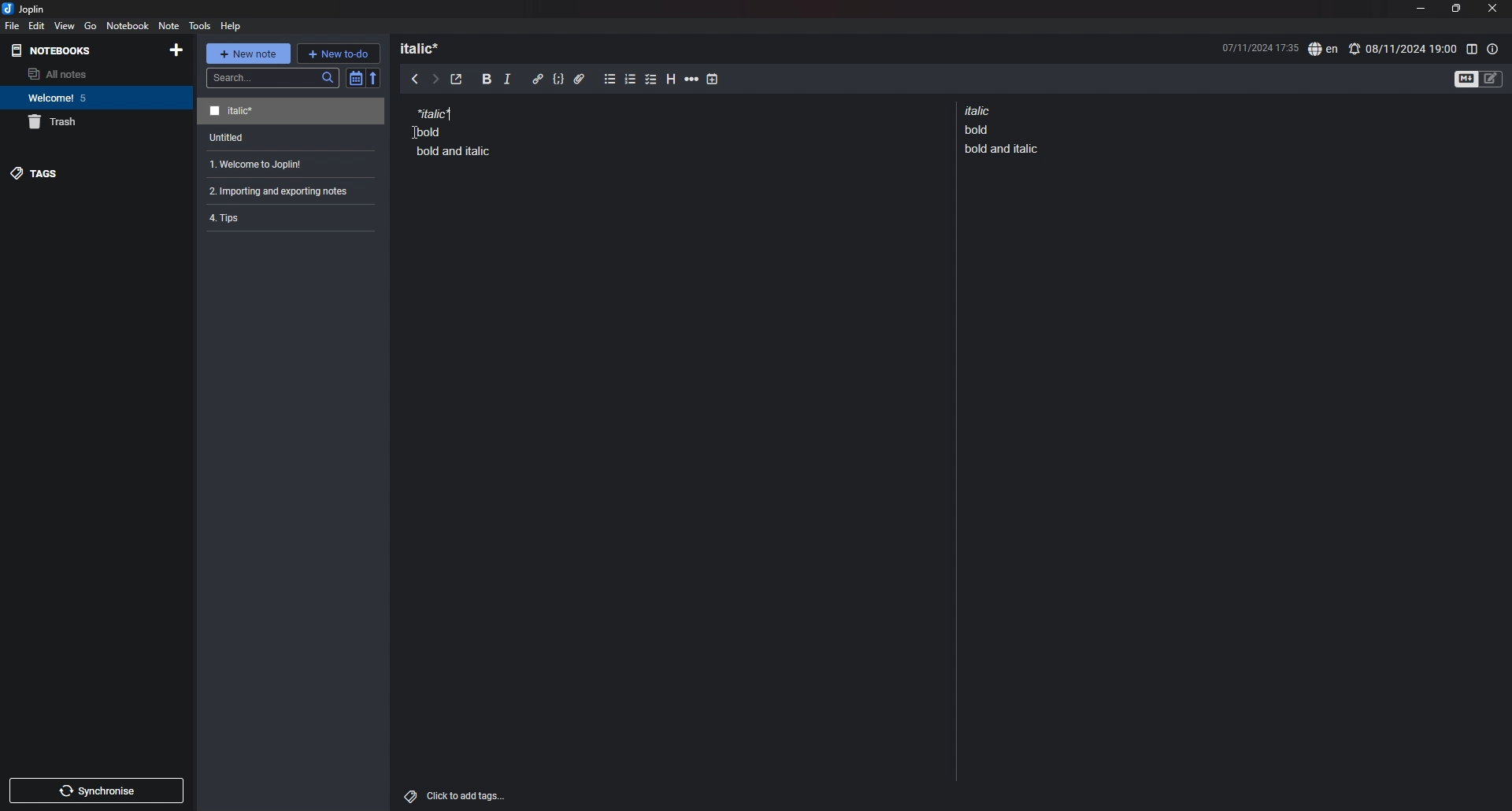 The width and height of the screenshot is (1512, 811). What do you see at coordinates (291, 112) in the screenshot?
I see `note` at bounding box center [291, 112].